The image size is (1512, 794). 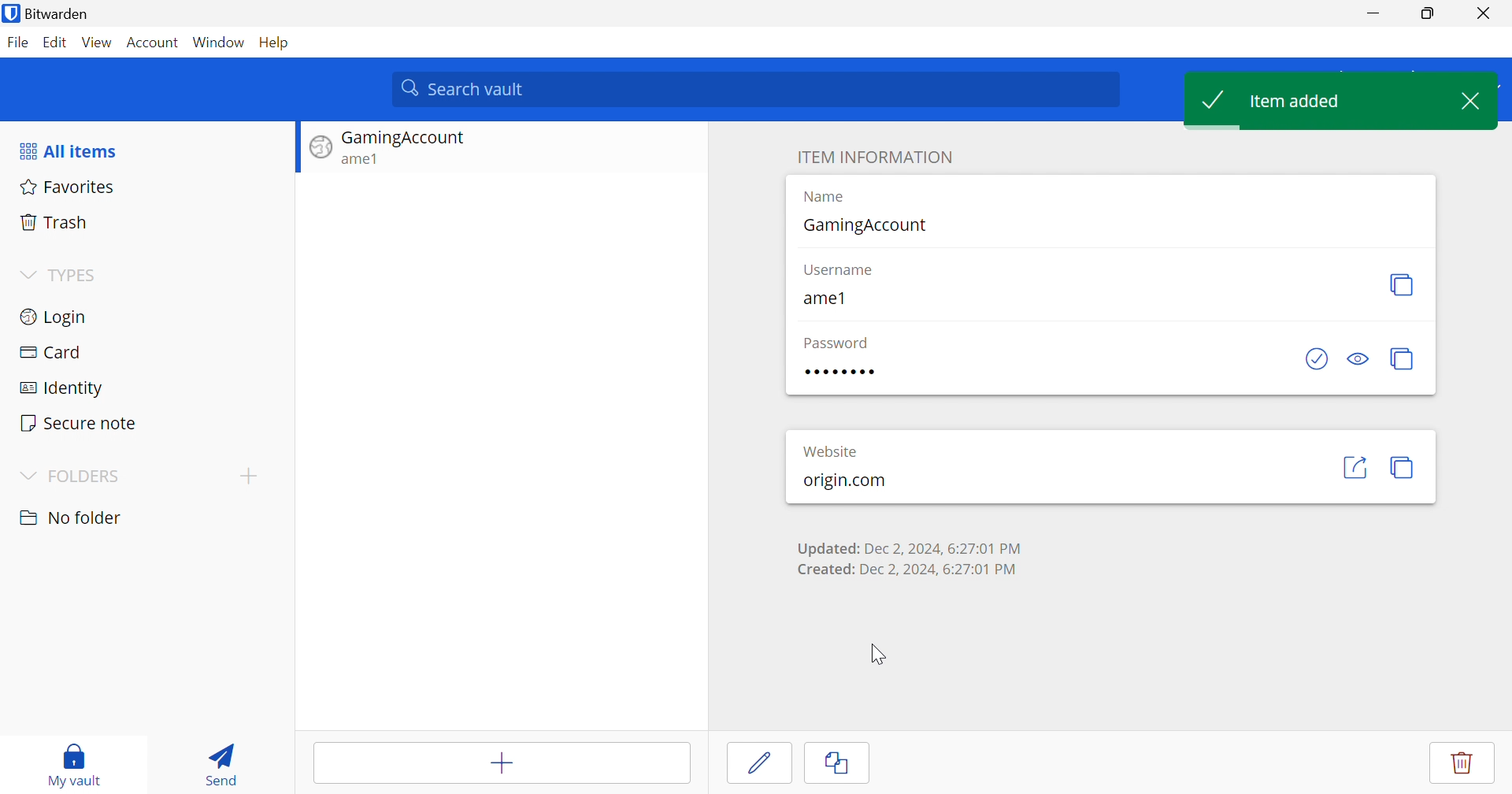 I want to click on Drop Down, so click(x=24, y=475).